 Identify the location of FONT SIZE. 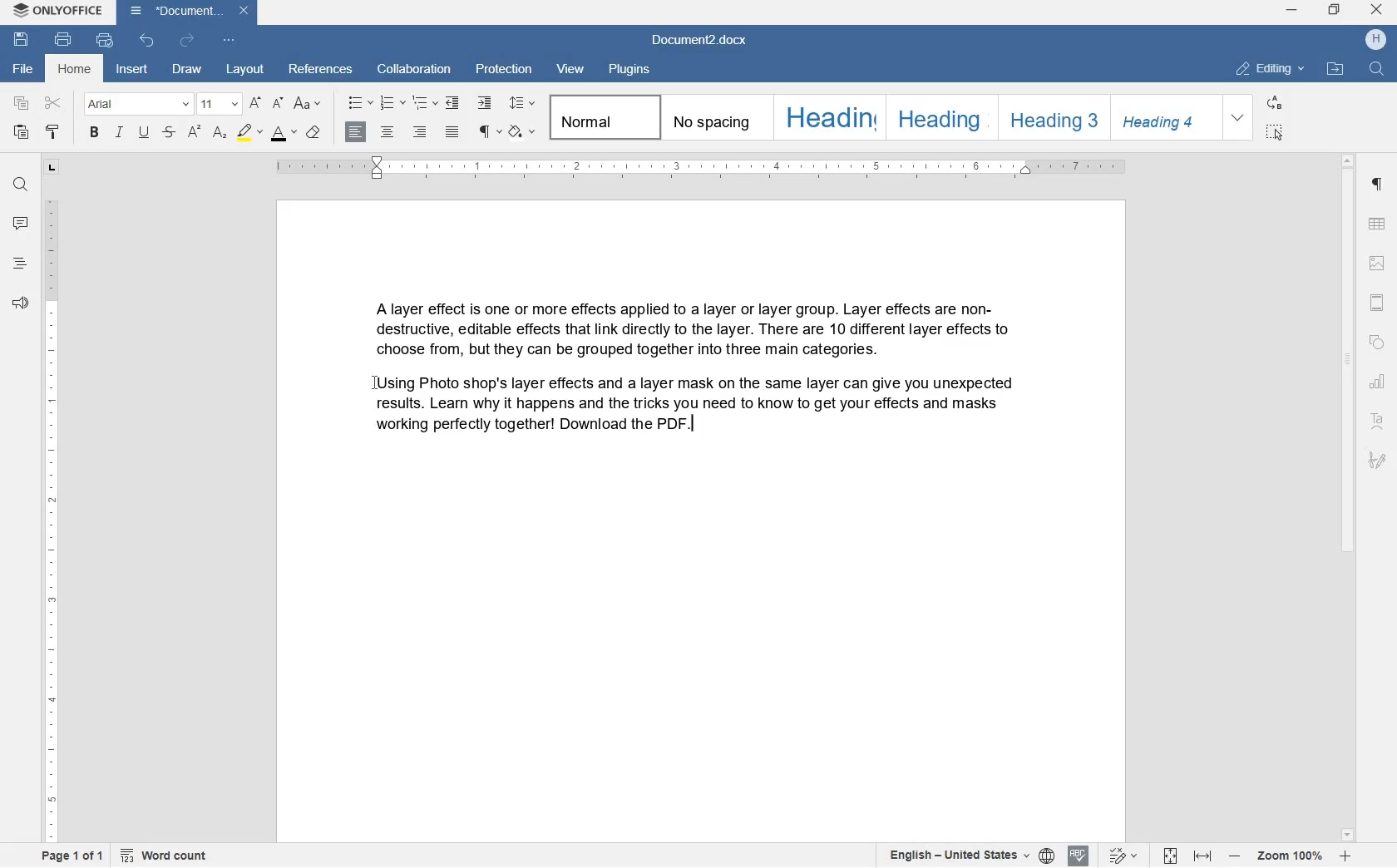
(285, 135).